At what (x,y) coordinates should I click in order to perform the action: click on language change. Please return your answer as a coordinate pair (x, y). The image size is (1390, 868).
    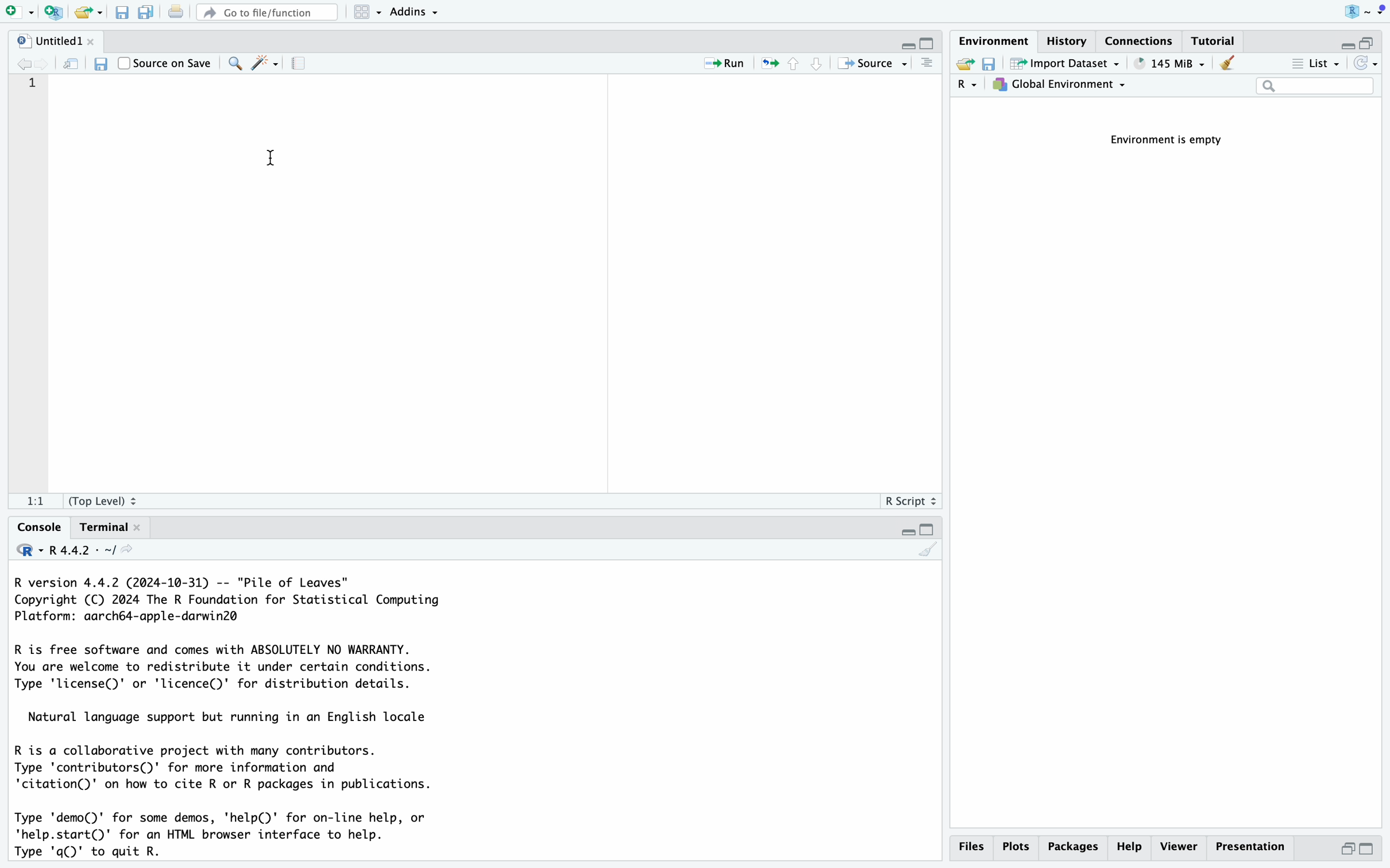
    Looking at the image, I should click on (24, 549).